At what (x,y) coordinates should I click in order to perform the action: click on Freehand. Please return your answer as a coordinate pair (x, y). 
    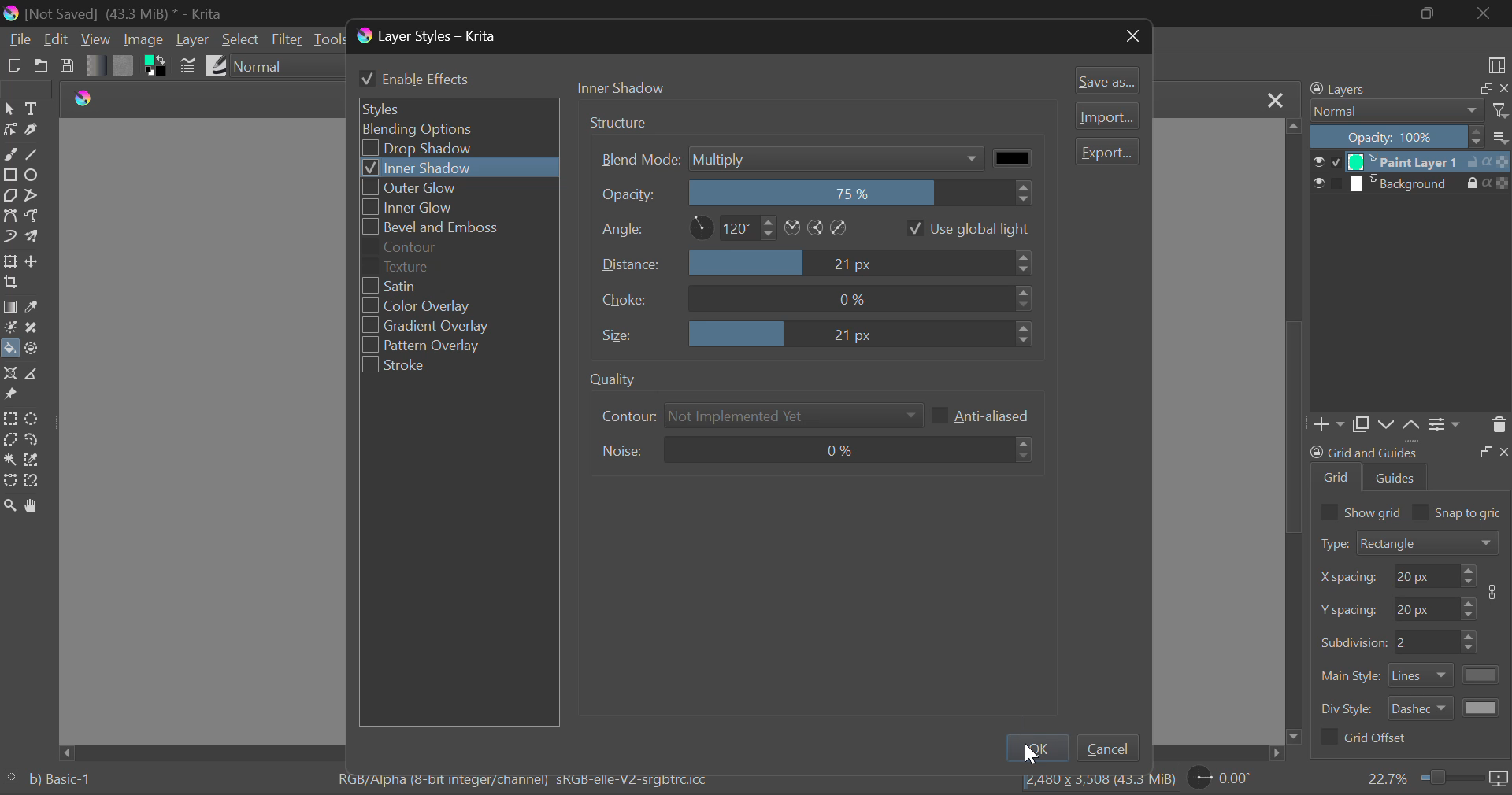
    Looking at the image, I should click on (11, 154).